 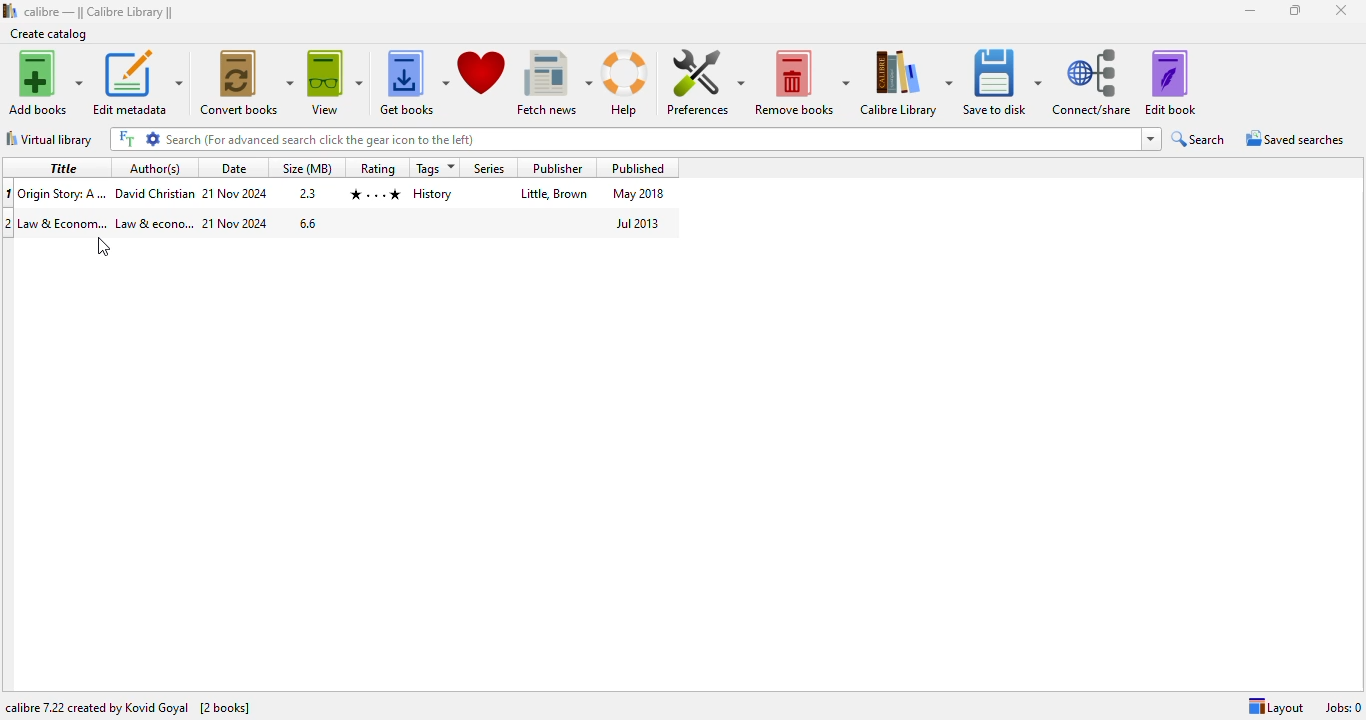 I want to click on tags, so click(x=437, y=168).